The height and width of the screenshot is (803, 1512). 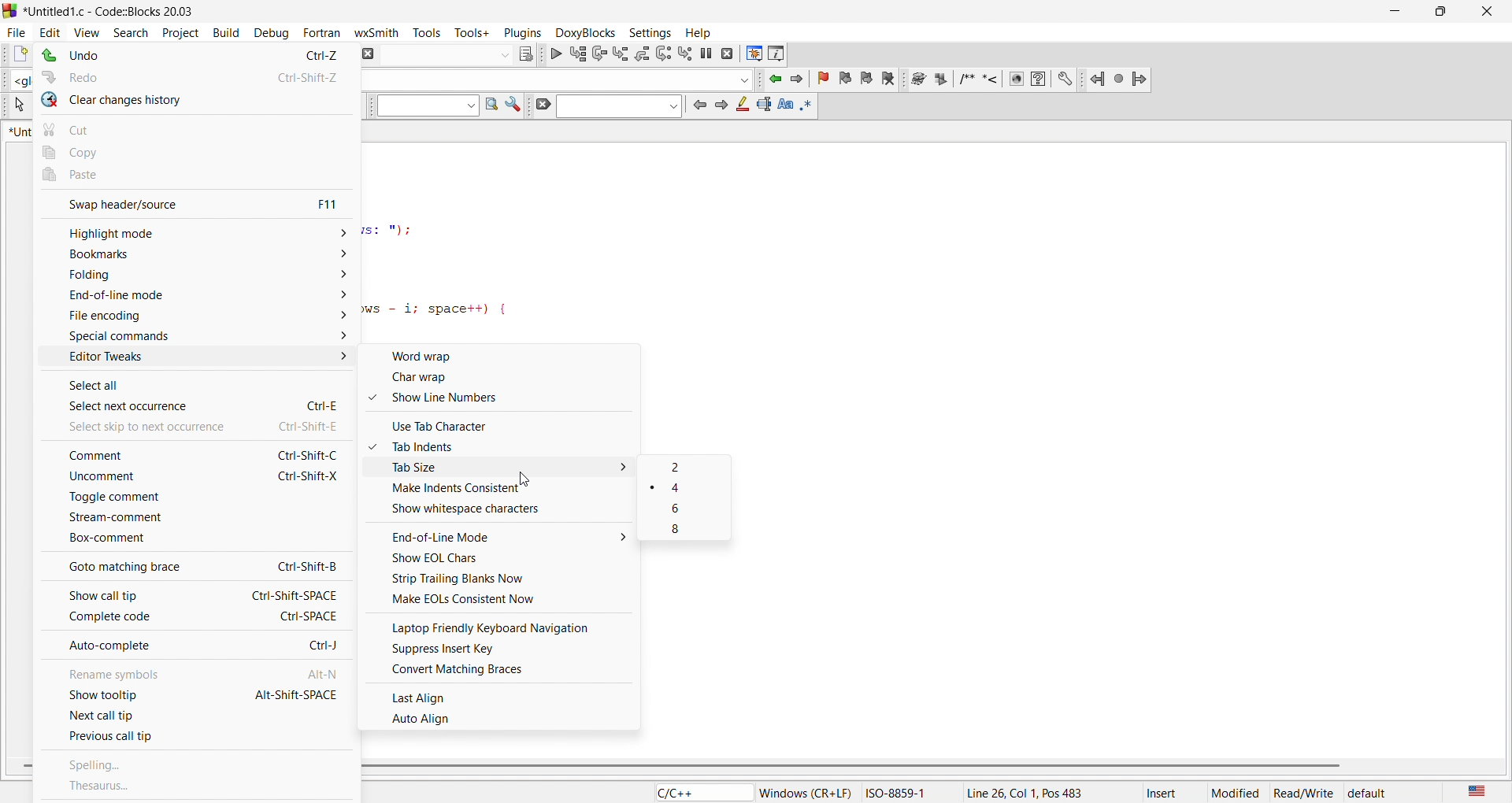 What do you see at coordinates (528, 53) in the screenshot?
I see `icon` at bounding box center [528, 53].